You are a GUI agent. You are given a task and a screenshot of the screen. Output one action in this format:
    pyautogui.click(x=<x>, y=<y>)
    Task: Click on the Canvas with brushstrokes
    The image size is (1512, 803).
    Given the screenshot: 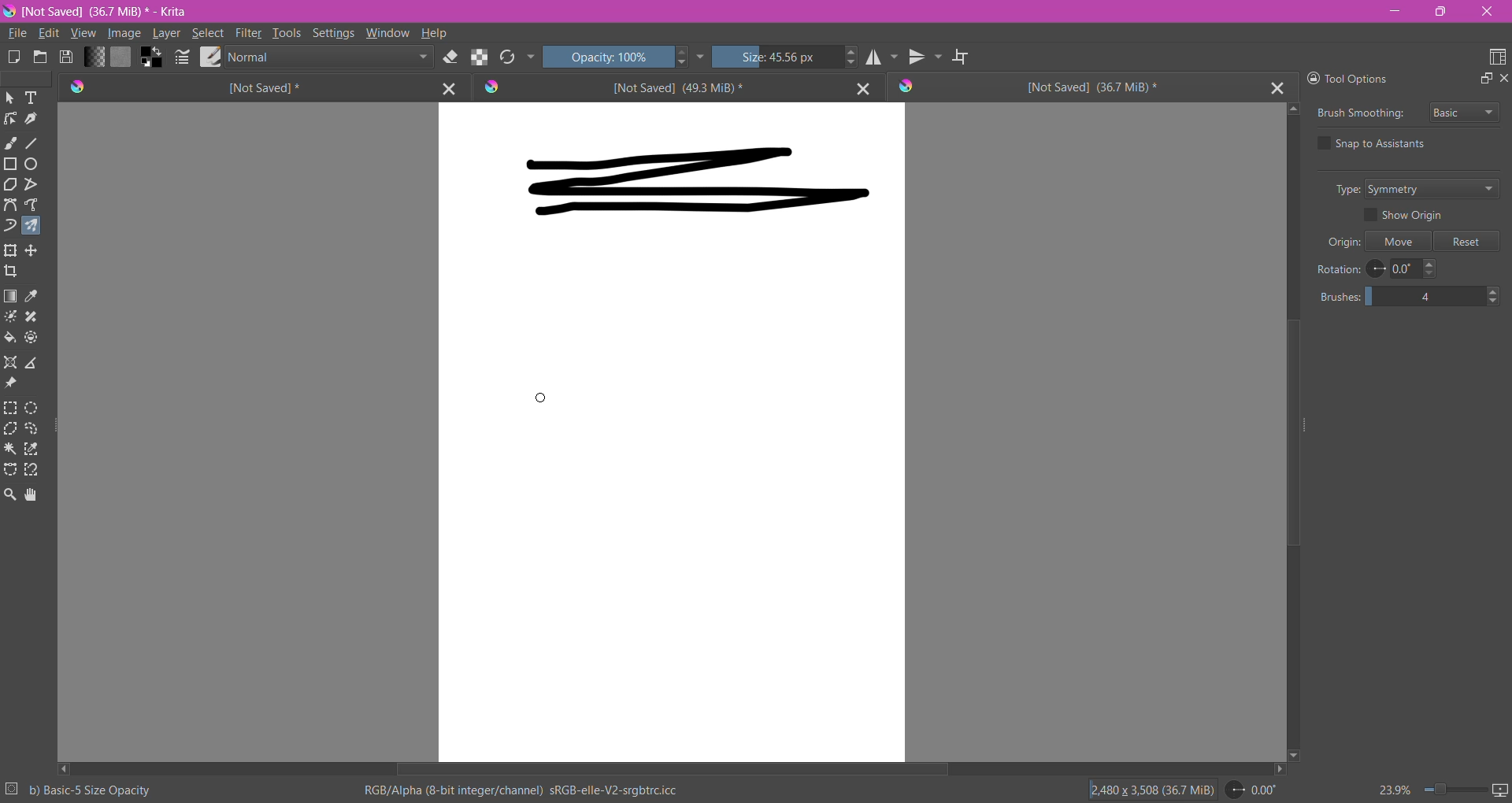 What is the action you would take?
    pyautogui.click(x=672, y=432)
    